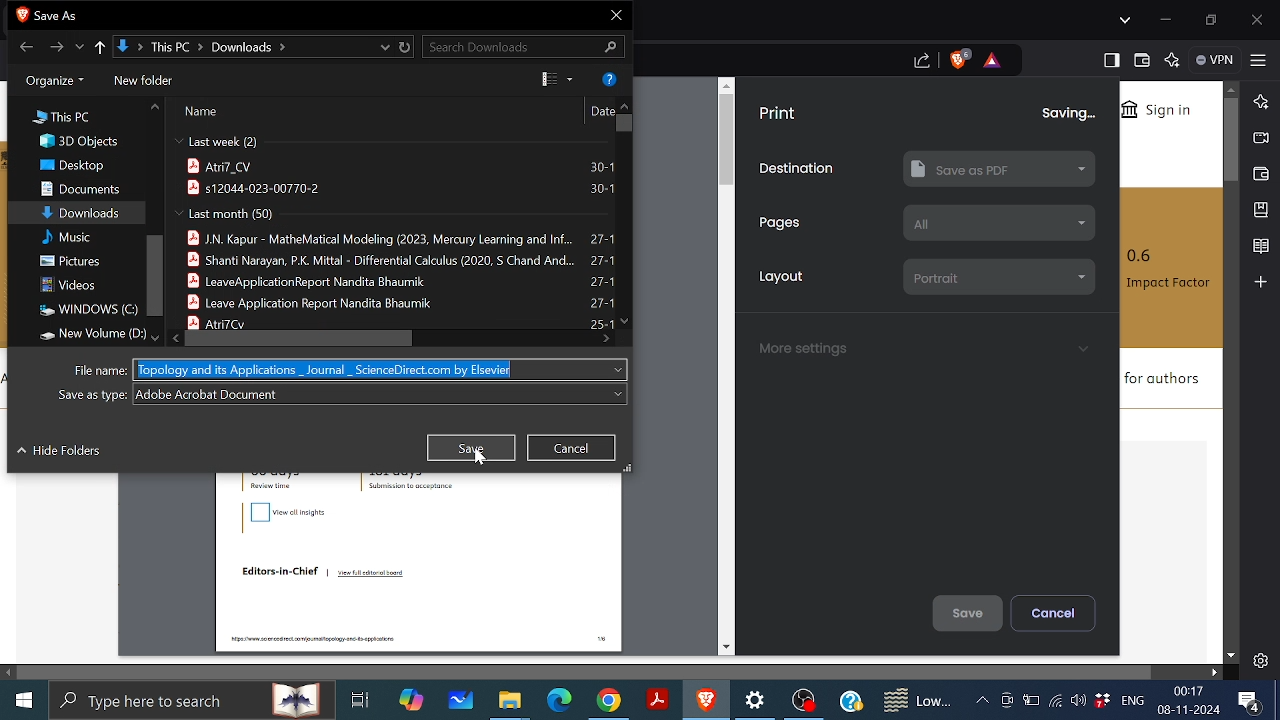  Describe the element at coordinates (358, 700) in the screenshot. I see `Task View` at that location.